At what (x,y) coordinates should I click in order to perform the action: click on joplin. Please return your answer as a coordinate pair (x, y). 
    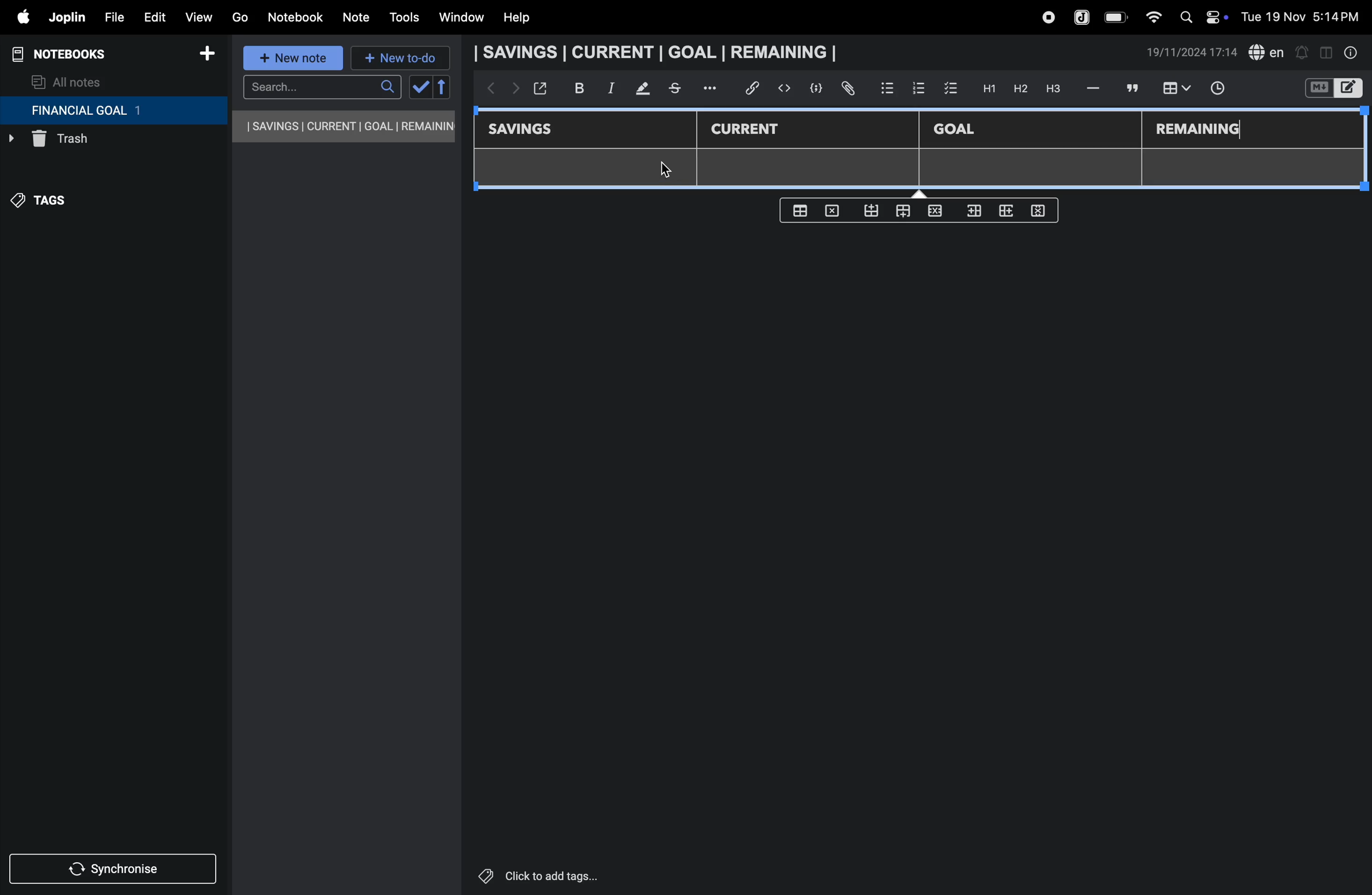
    Looking at the image, I should click on (1083, 16).